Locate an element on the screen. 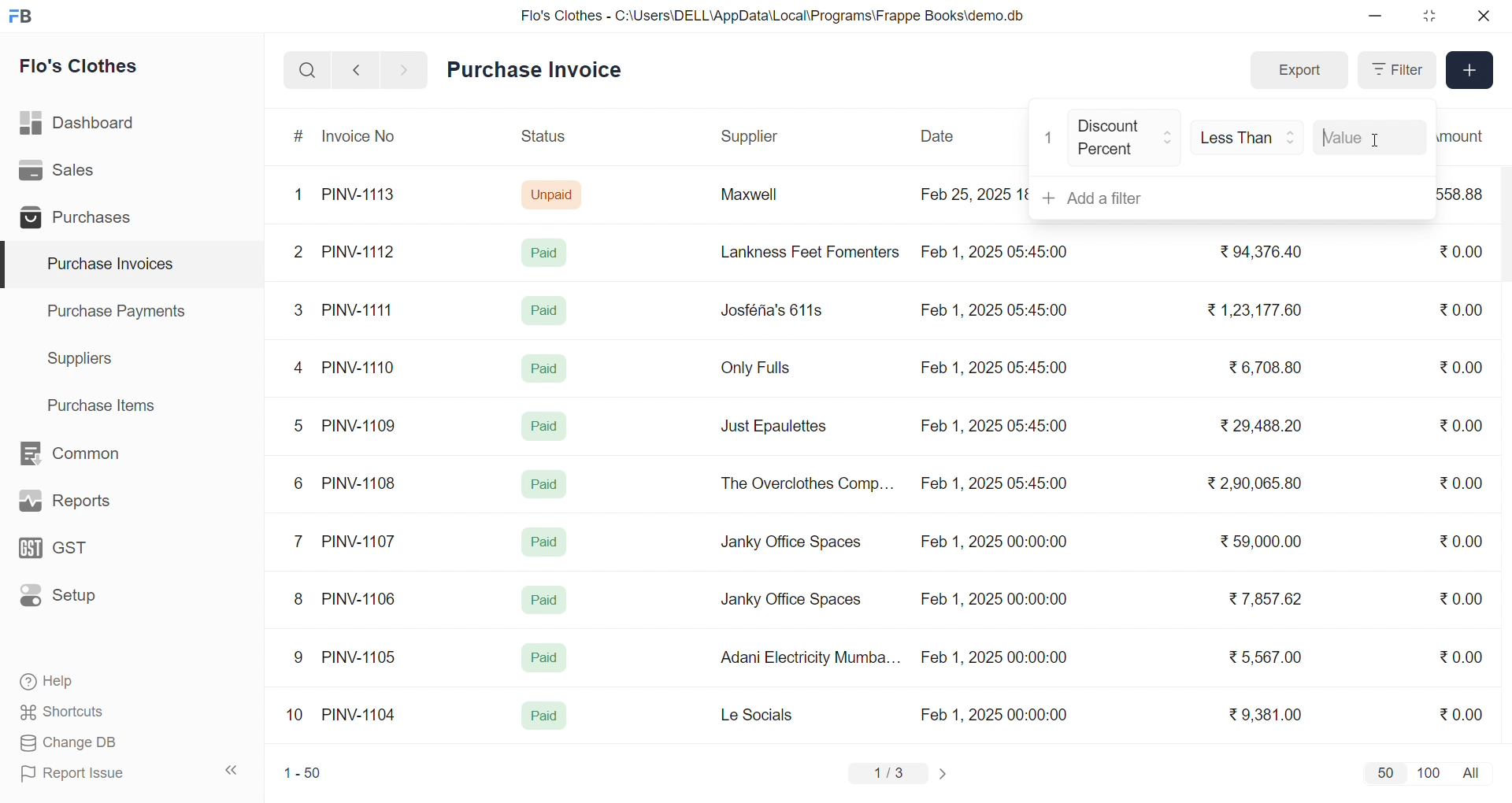  Purchase Items is located at coordinates (107, 403).